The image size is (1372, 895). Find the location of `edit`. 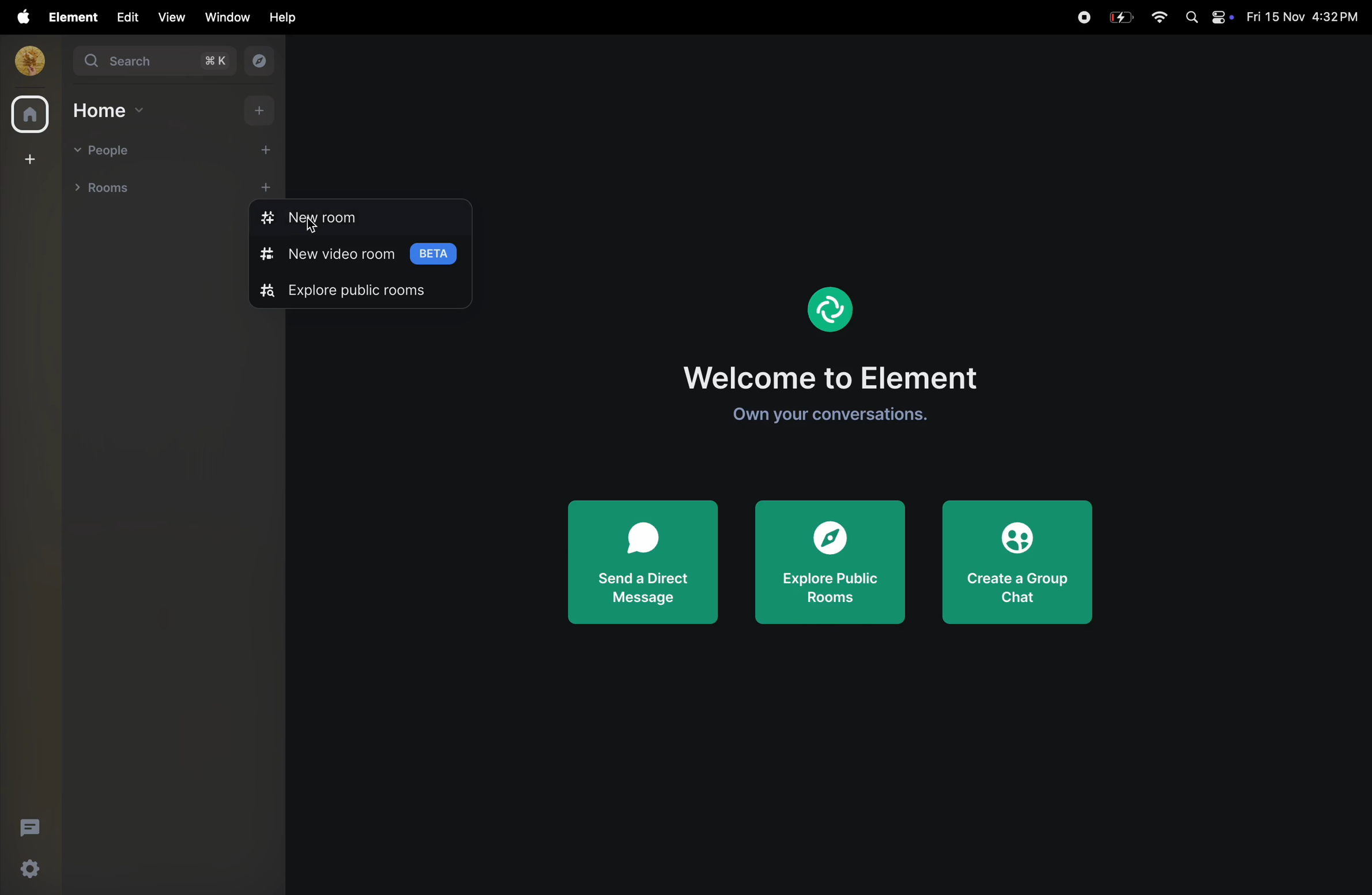

edit is located at coordinates (125, 17).